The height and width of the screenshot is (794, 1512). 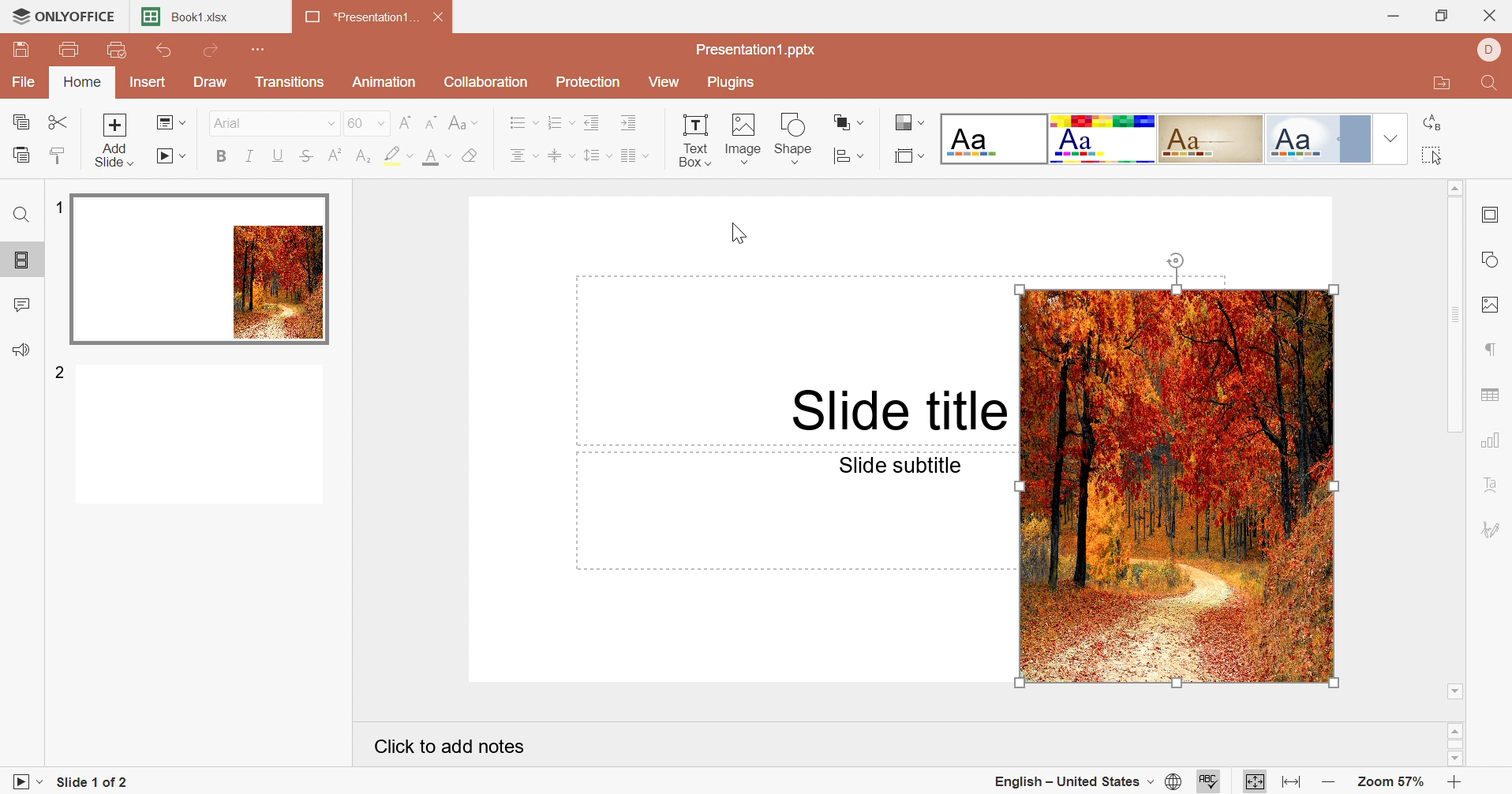 I want to click on Image, so click(x=743, y=137).